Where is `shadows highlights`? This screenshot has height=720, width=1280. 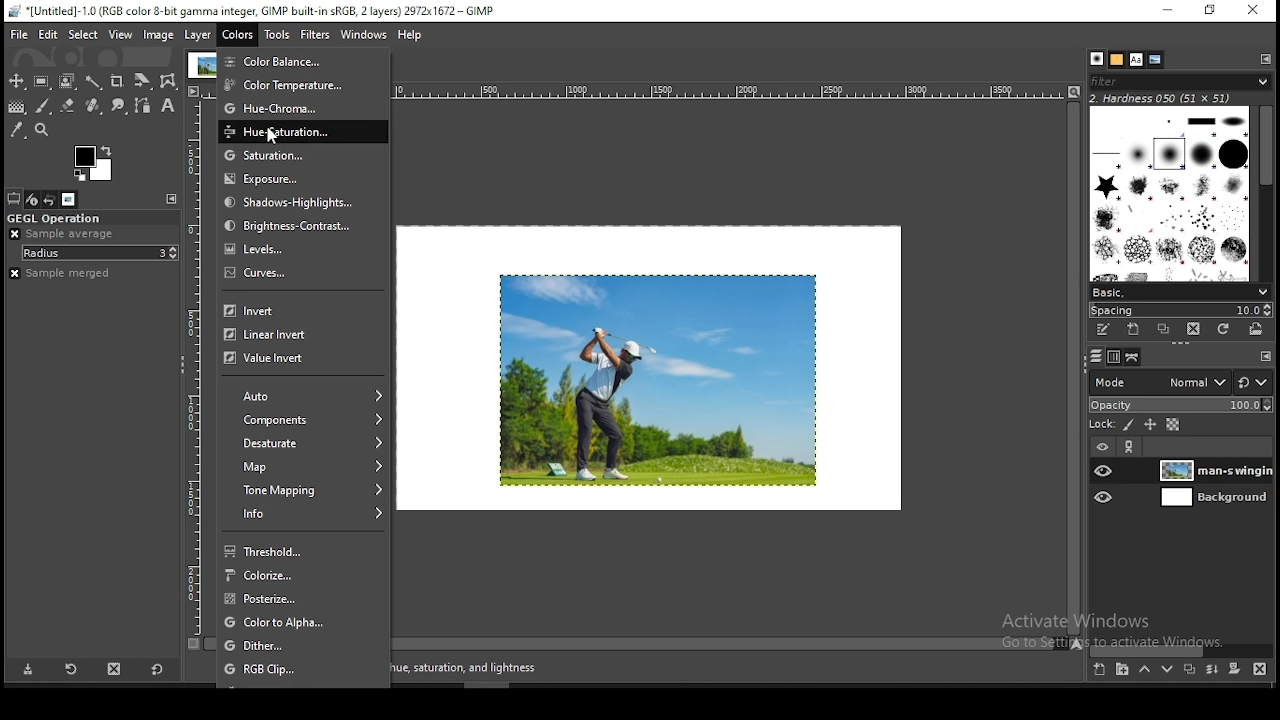 shadows highlights is located at coordinates (304, 203).